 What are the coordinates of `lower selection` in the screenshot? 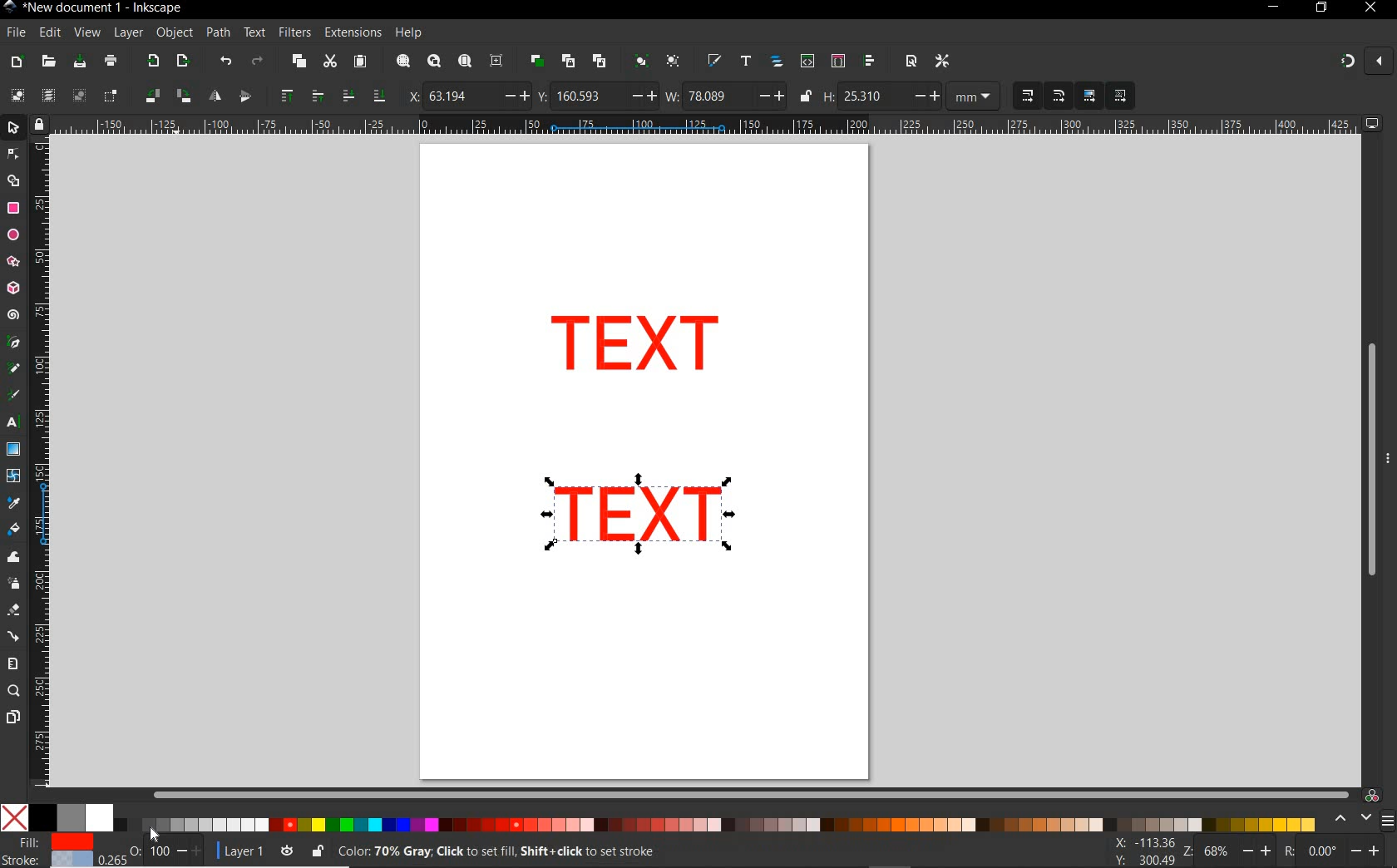 It's located at (362, 96).